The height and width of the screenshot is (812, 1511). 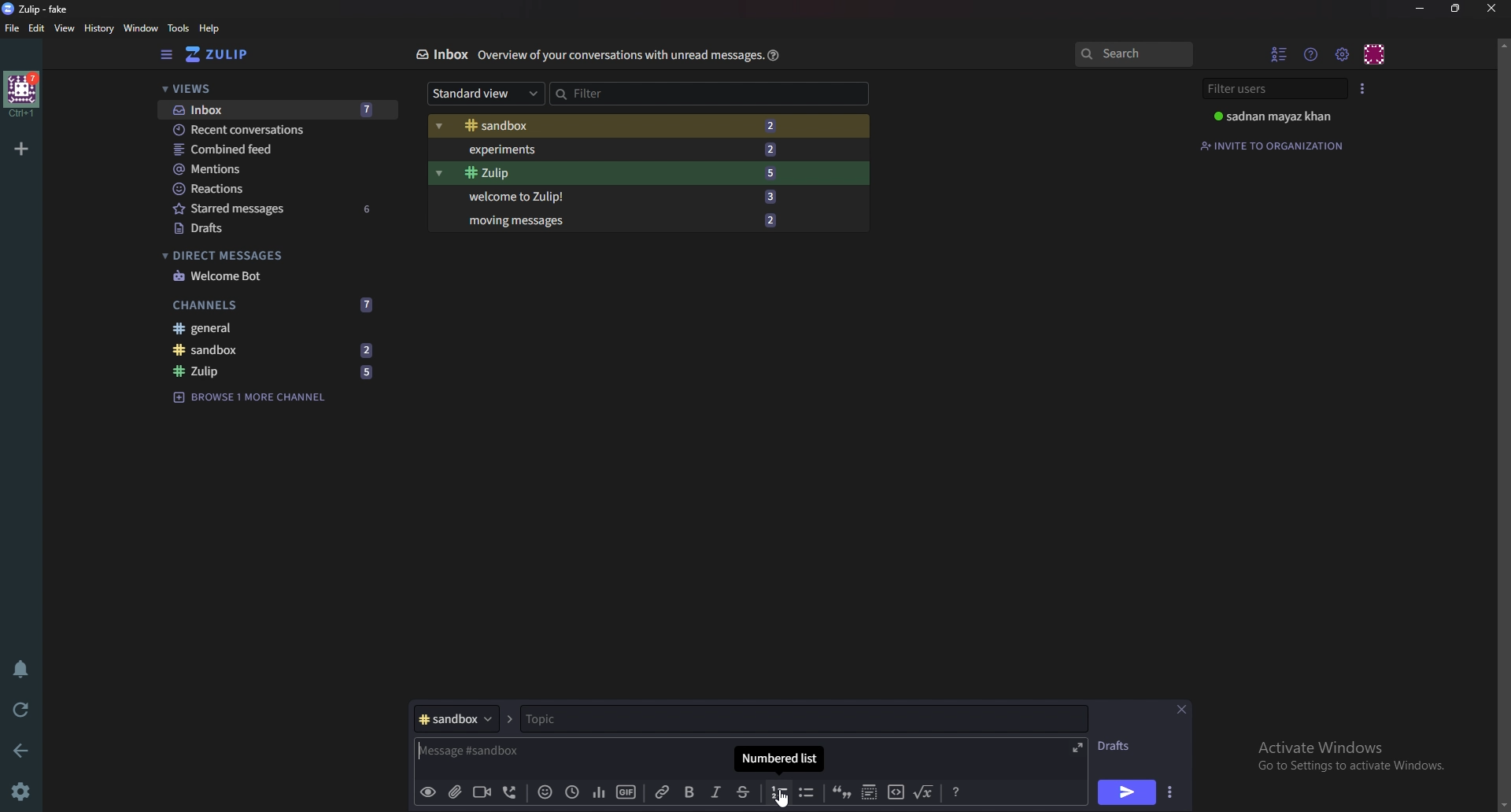 What do you see at coordinates (277, 170) in the screenshot?
I see `mentions` at bounding box center [277, 170].